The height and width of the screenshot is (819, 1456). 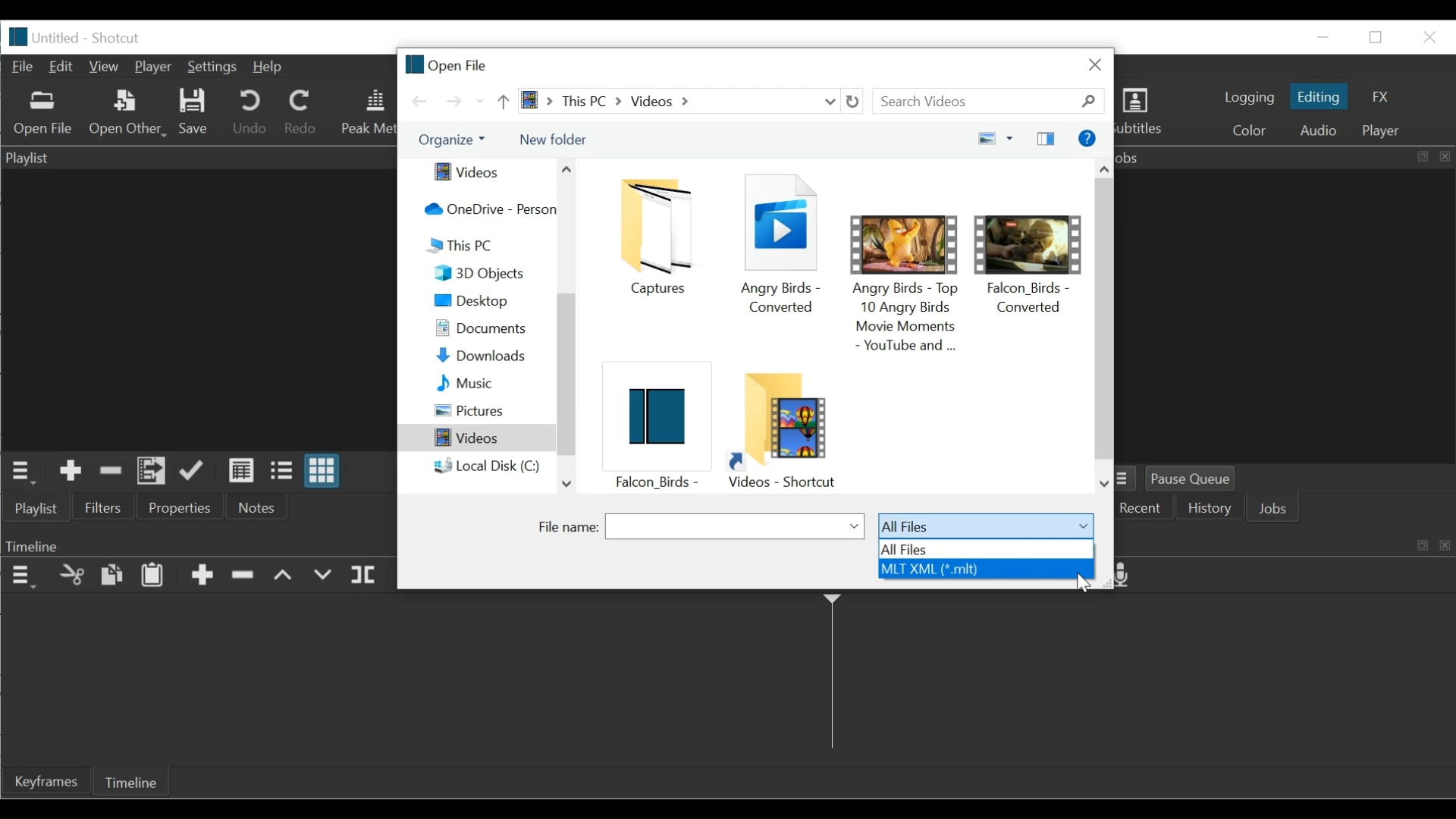 I want to click on Overwrite, so click(x=322, y=576).